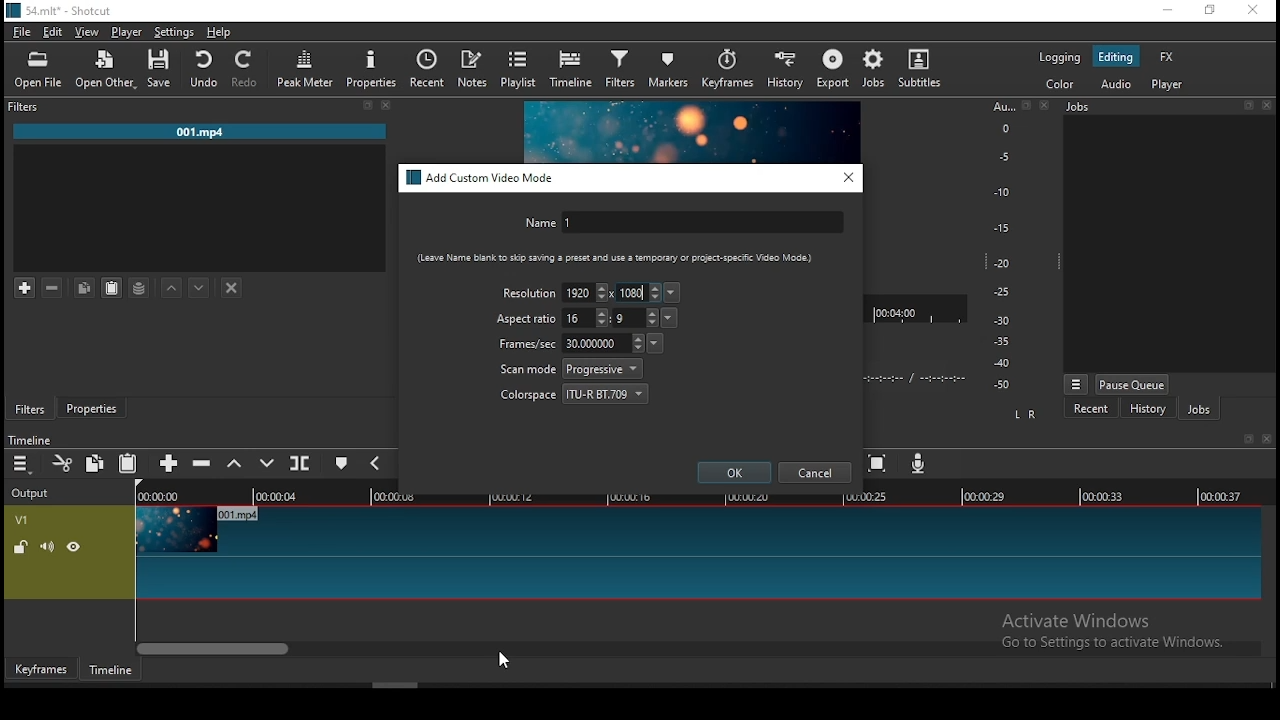  I want to click on jobs, so click(1199, 410).